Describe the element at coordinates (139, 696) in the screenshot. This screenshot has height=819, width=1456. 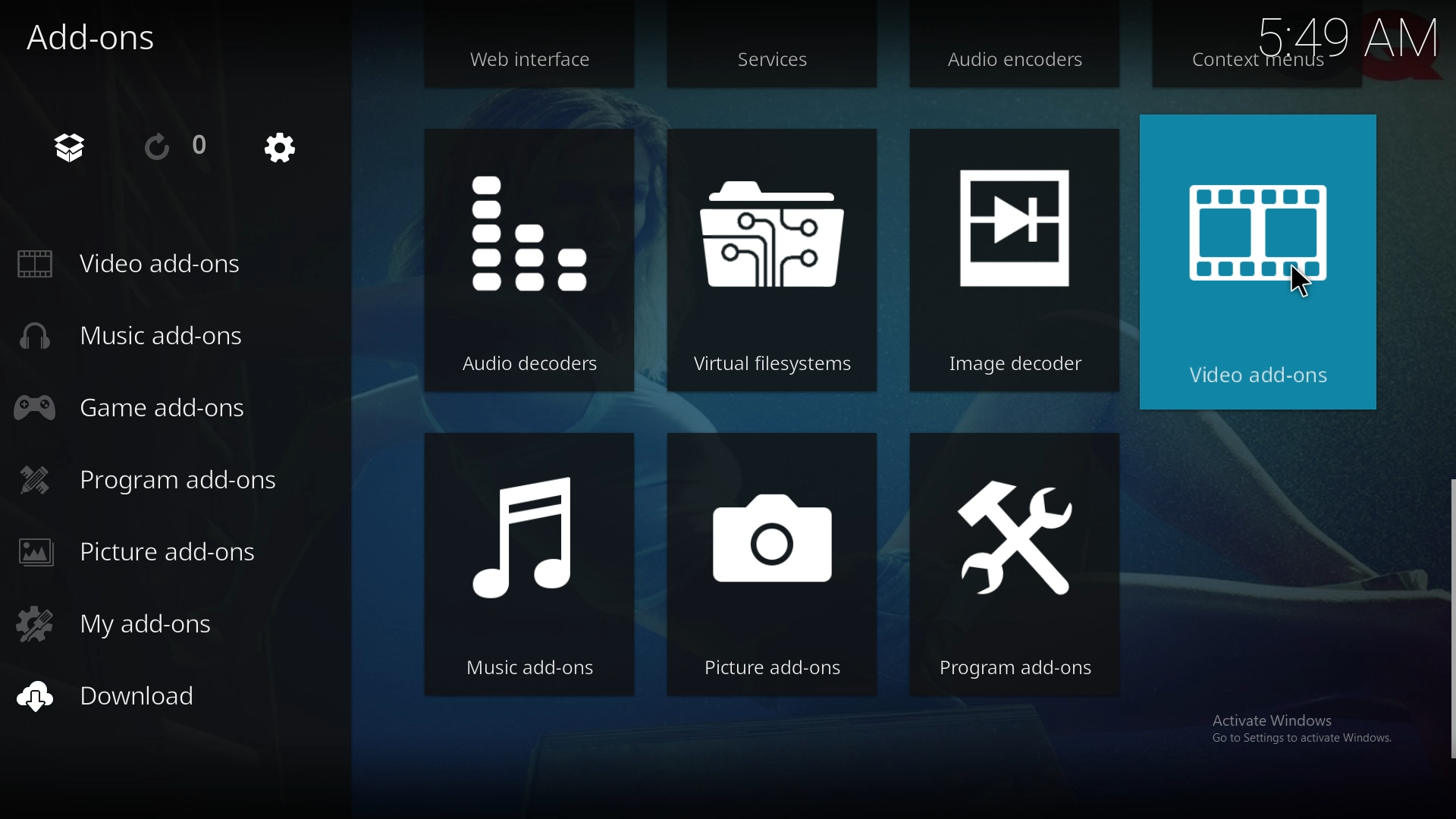
I see `download` at that location.